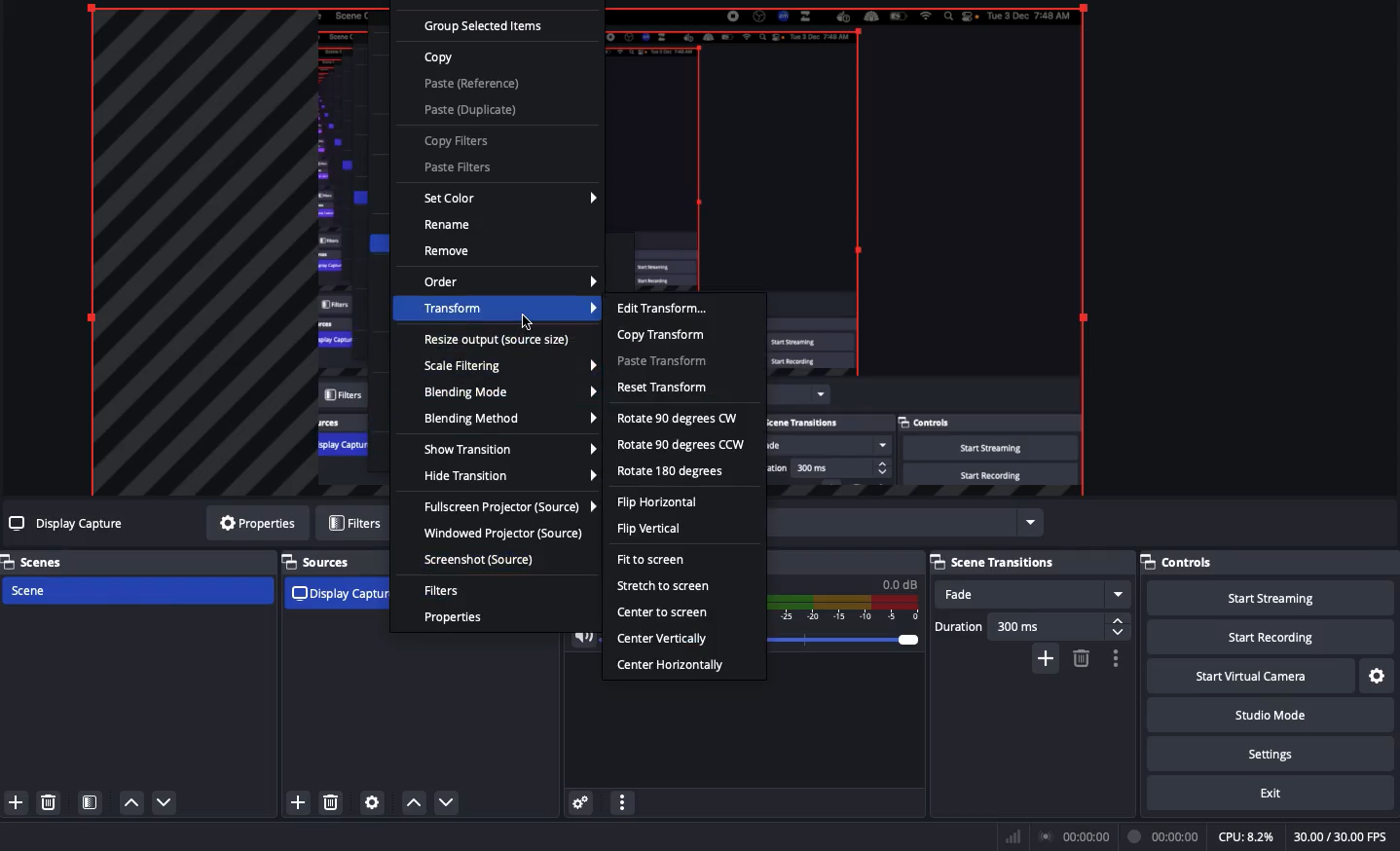  Describe the element at coordinates (1248, 837) in the screenshot. I see `CPU` at that location.